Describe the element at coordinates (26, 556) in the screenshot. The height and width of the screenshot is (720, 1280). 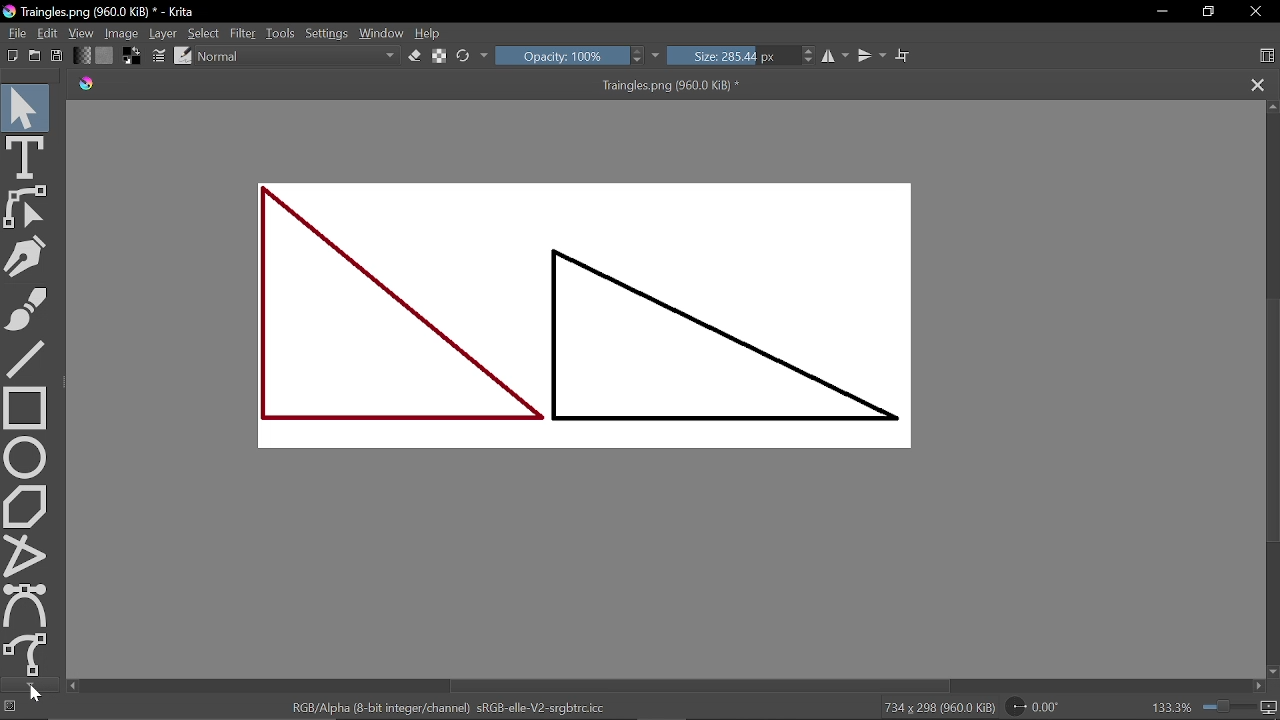
I see `Polyline tool` at that location.